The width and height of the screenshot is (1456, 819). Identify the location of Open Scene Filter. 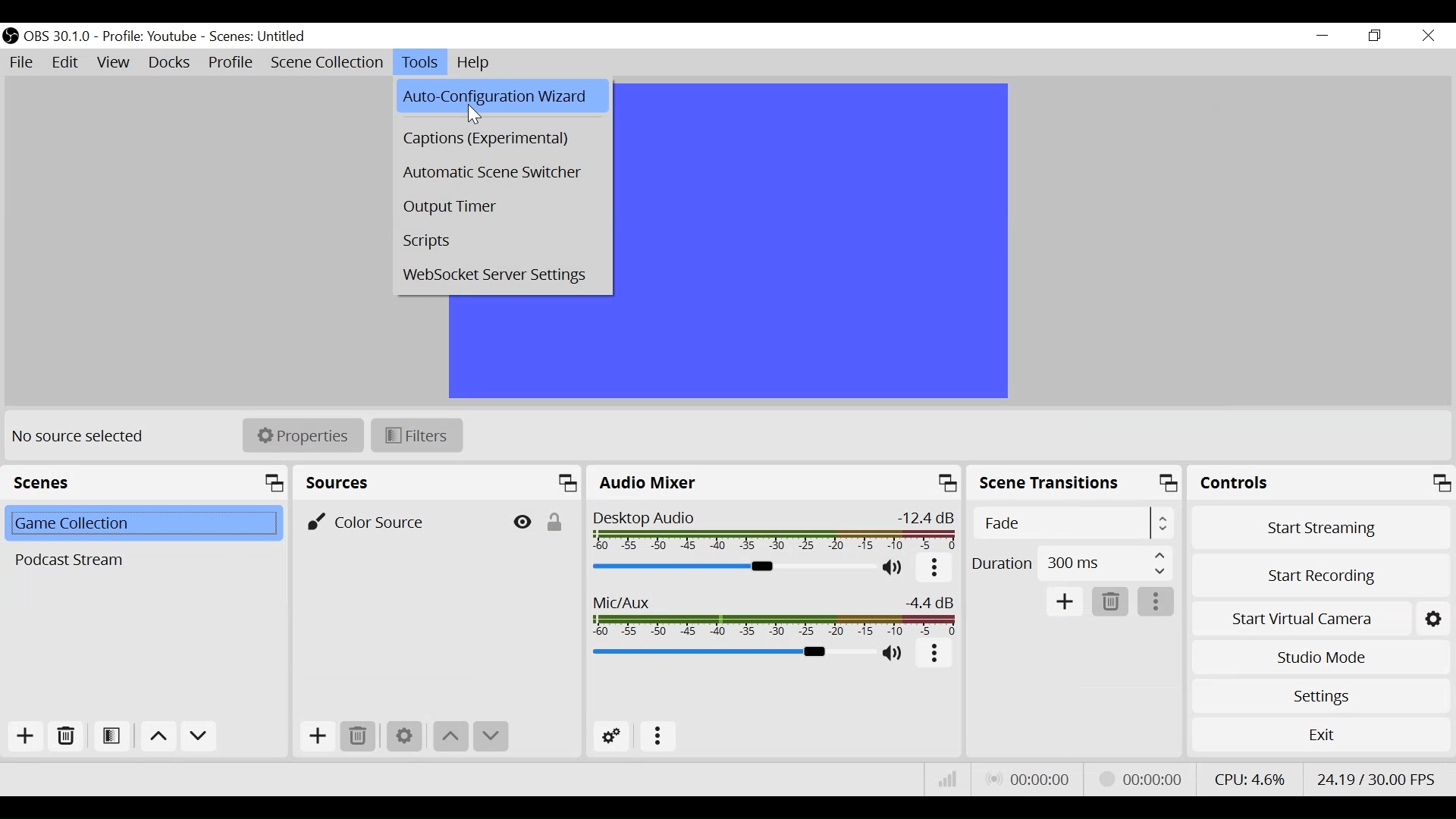
(111, 736).